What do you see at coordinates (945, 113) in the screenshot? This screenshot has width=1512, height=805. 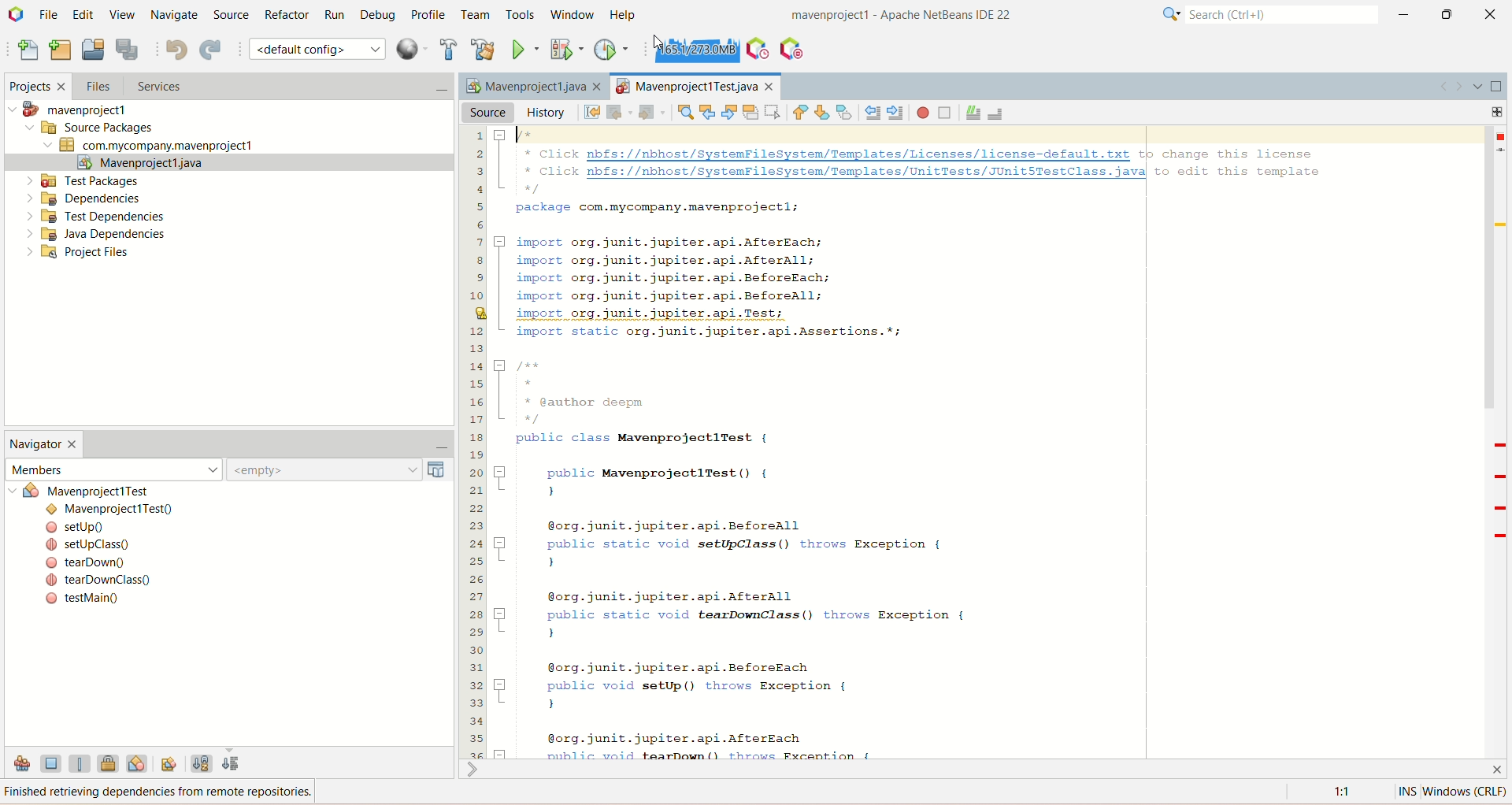 I see `stop macro recording` at bounding box center [945, 113].